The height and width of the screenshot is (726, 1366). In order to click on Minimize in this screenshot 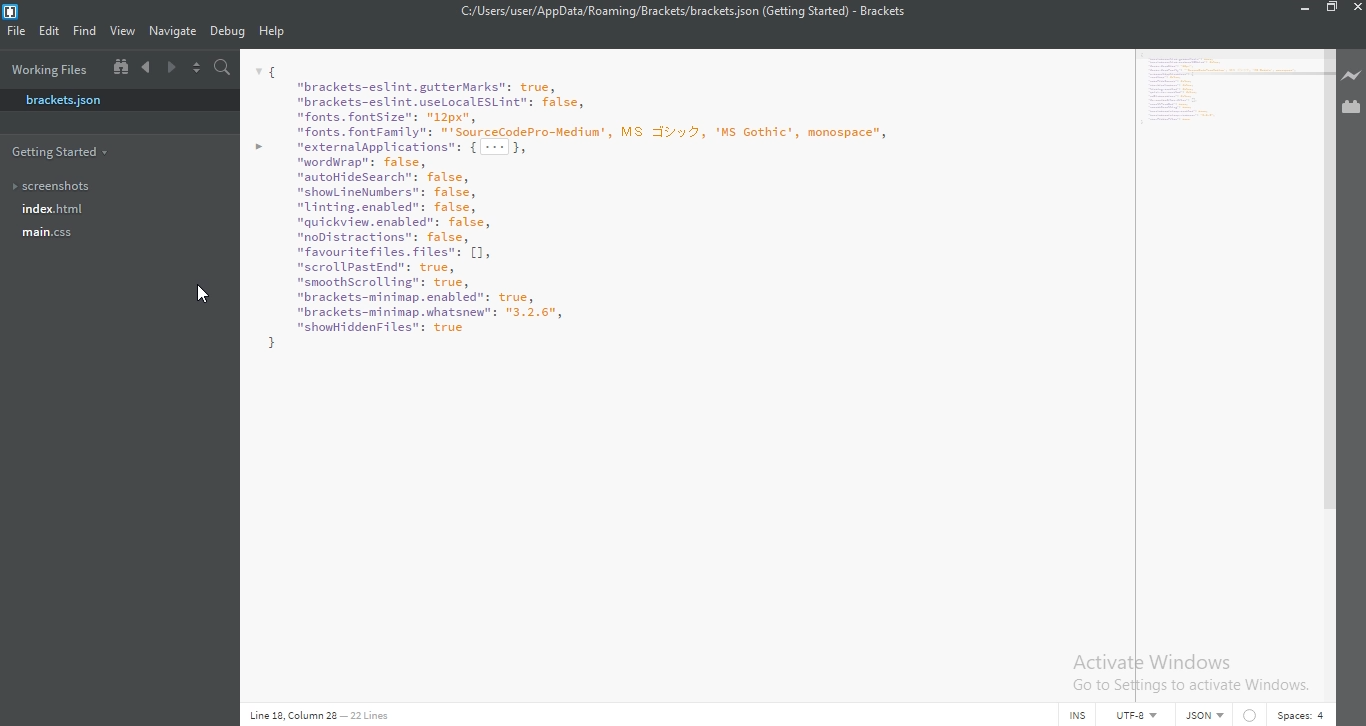, I will do `click(1300, 9)`.